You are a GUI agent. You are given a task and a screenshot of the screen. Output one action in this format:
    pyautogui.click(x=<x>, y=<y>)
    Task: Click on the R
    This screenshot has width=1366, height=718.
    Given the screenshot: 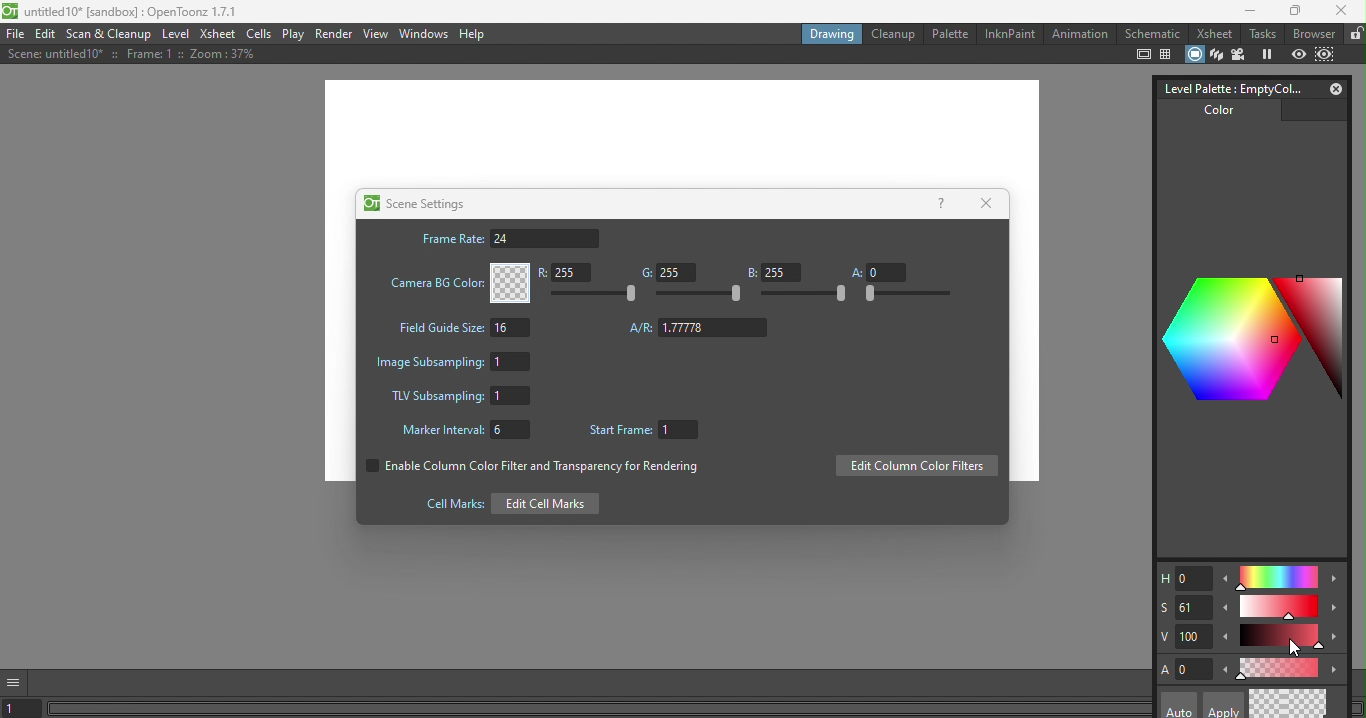 What is the action you would take?
    pyautogui.click(x=569, y=274)
    